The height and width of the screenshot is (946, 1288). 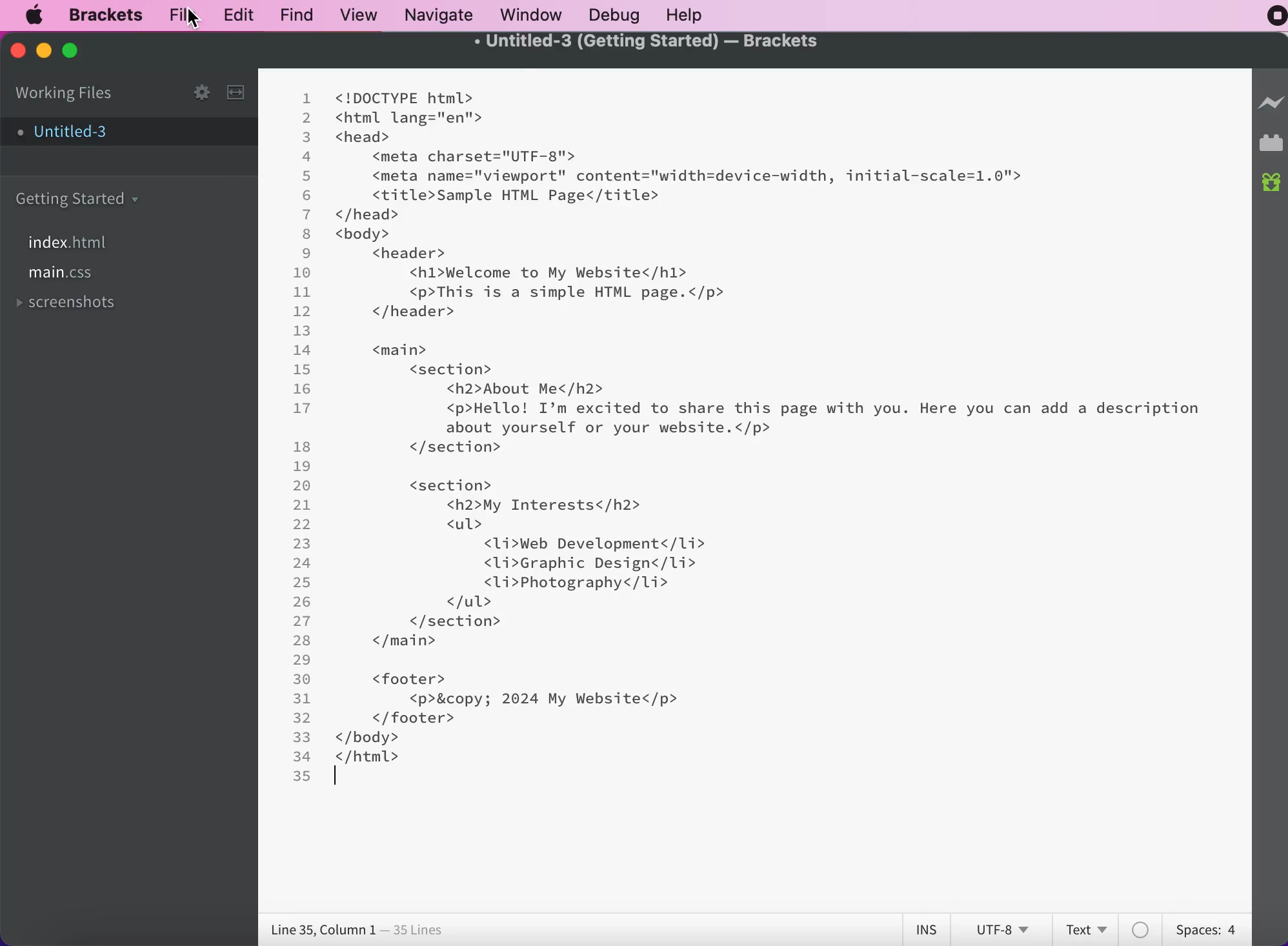 I want to click on 2, so click(x=308, y=118).